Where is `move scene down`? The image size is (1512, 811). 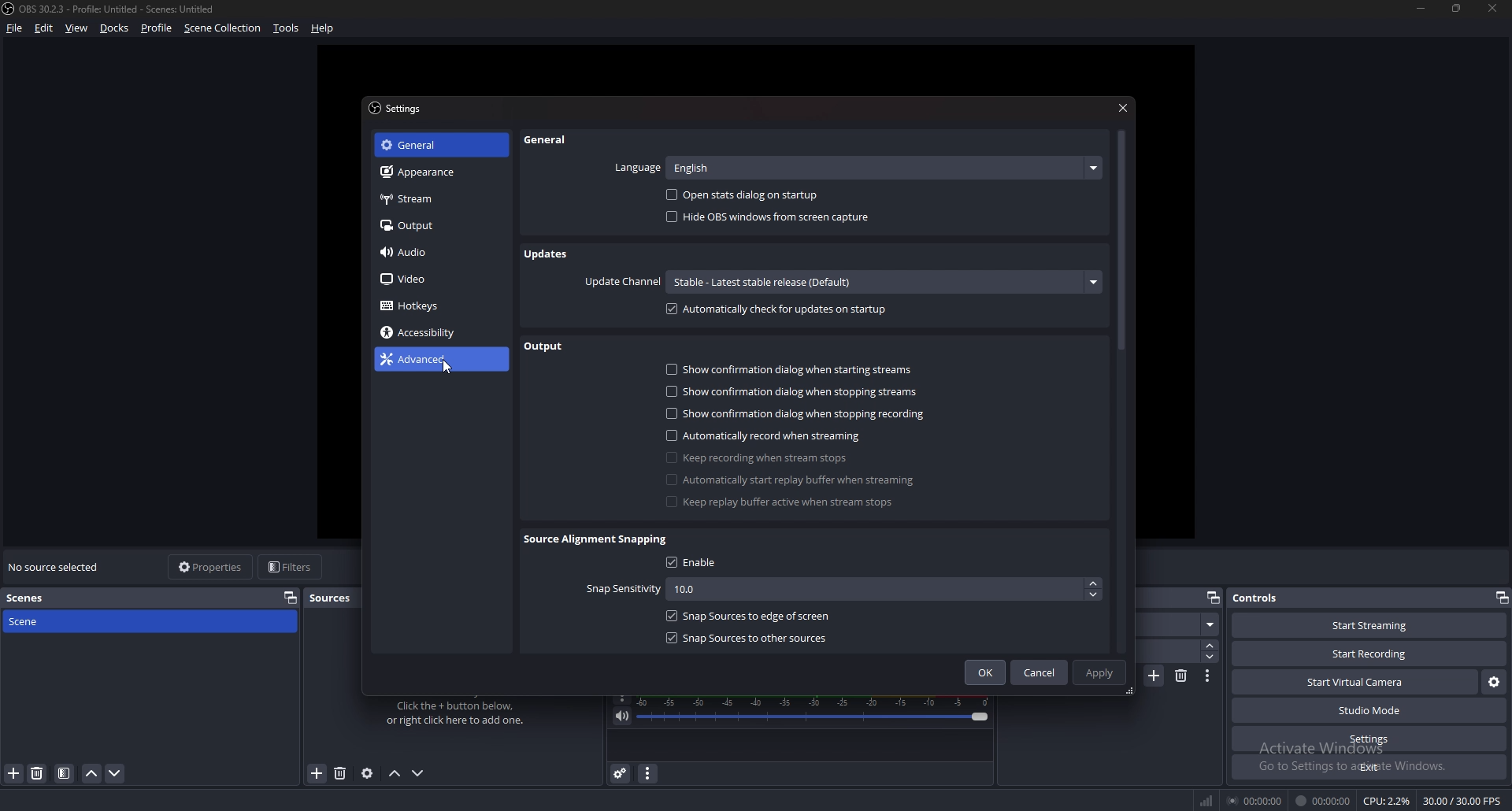
move scene down is located at coordinates (115, 774).